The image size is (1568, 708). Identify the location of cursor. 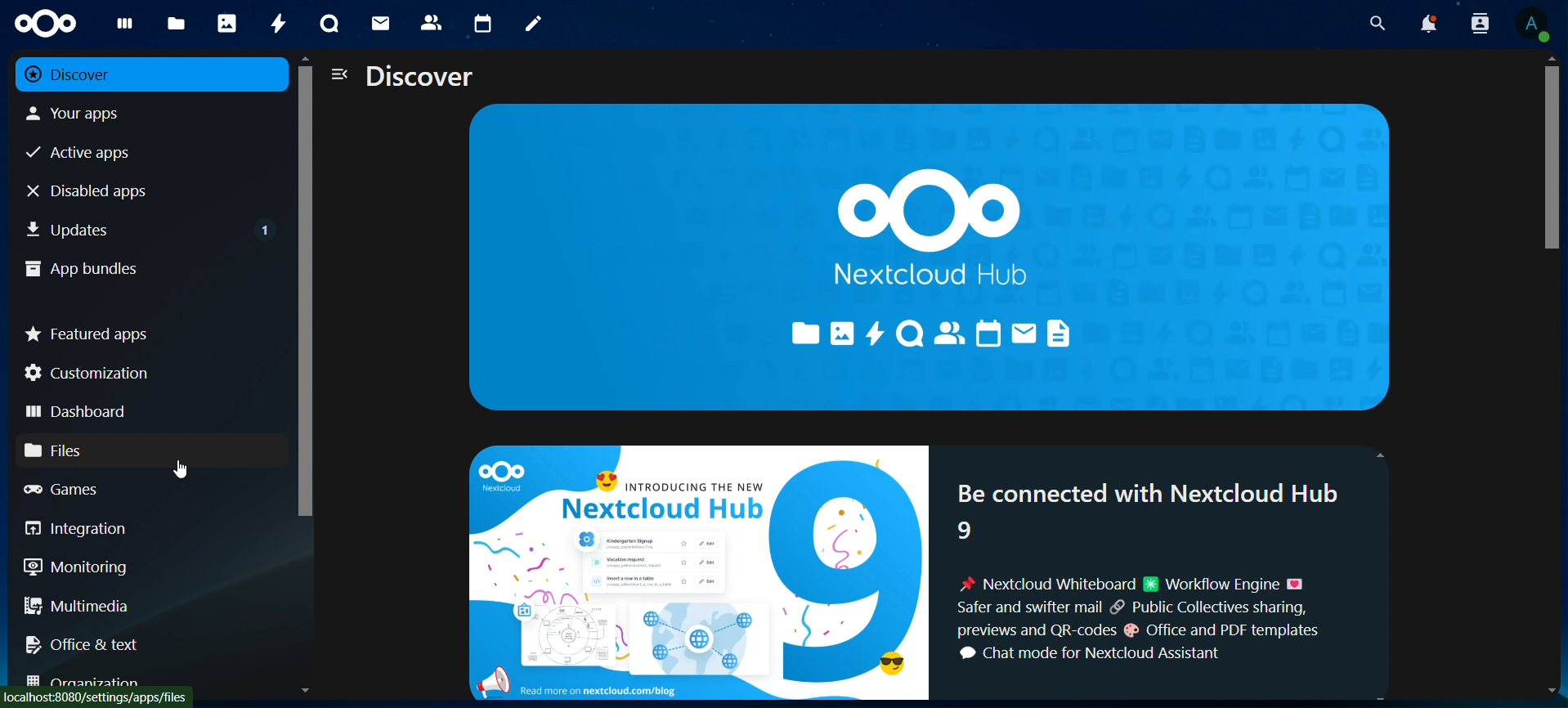
(1554, 380).